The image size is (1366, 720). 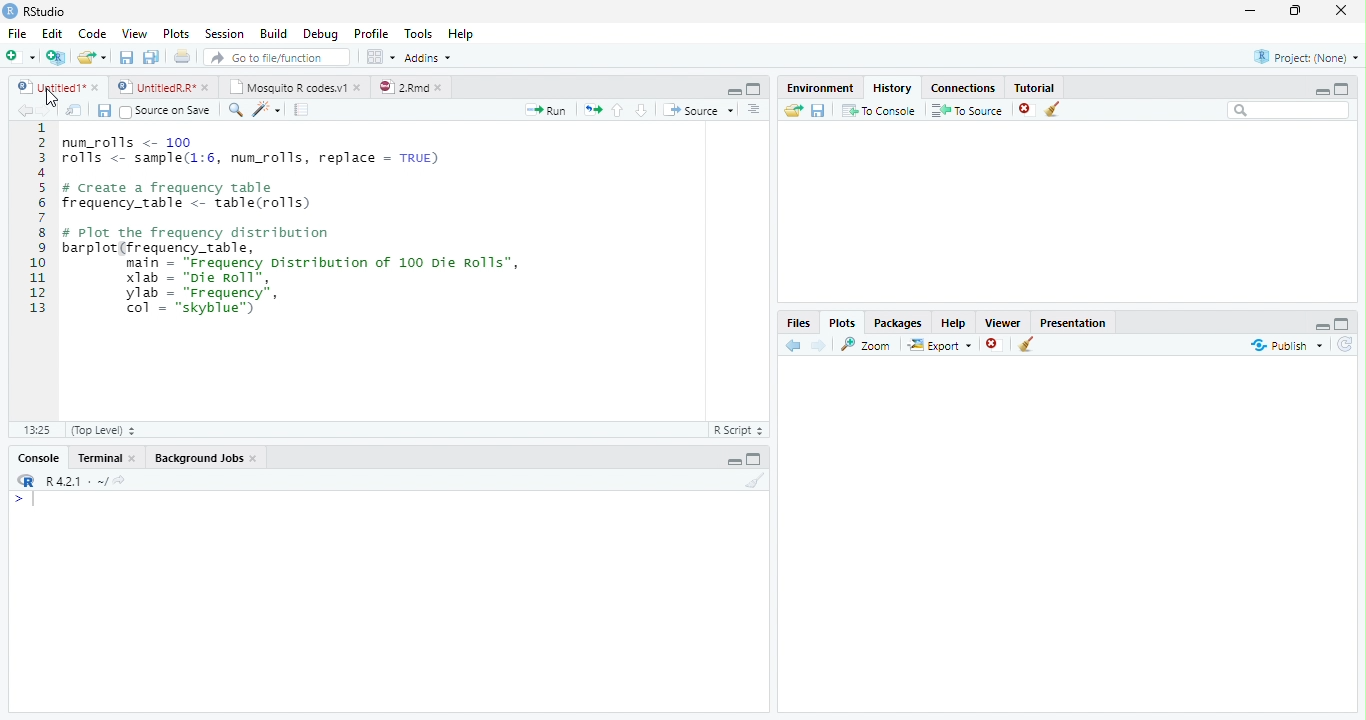 I want to click on Console, so click(x=386, y=601).